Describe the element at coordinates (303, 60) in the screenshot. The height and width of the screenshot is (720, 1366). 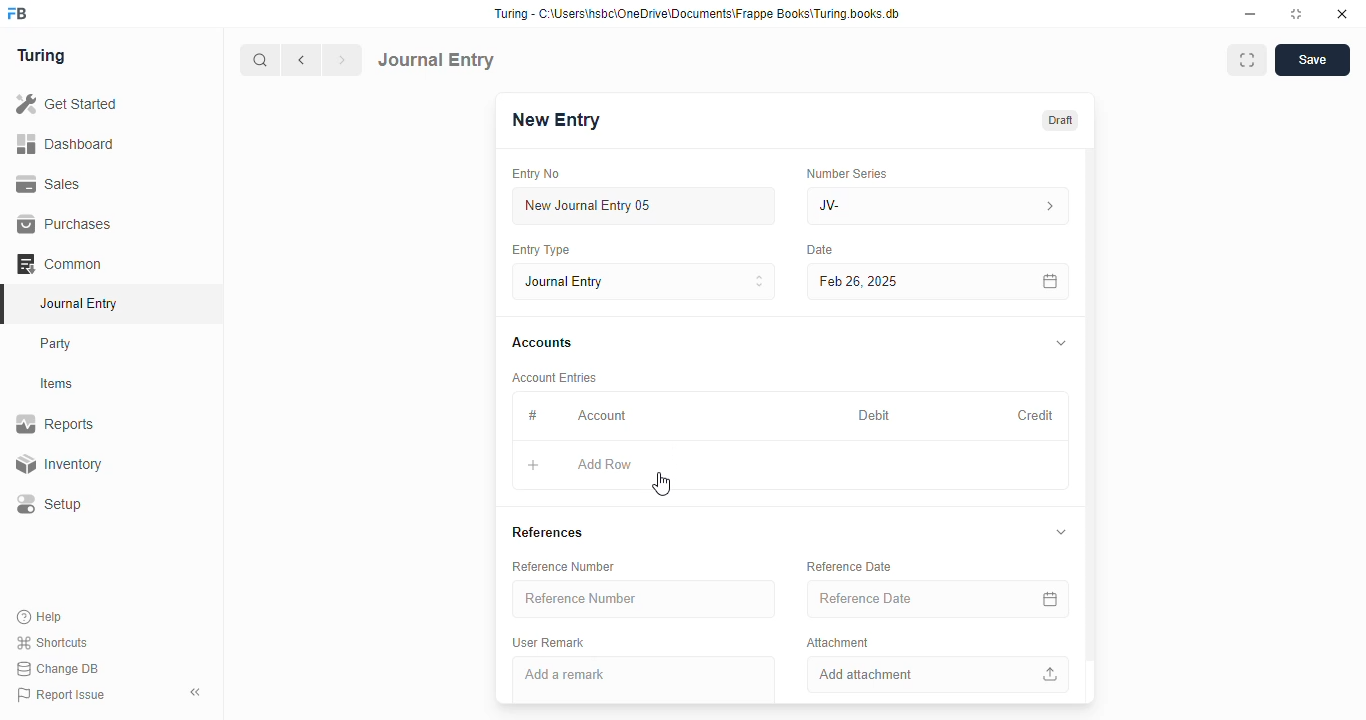
I see `previous` at that location.